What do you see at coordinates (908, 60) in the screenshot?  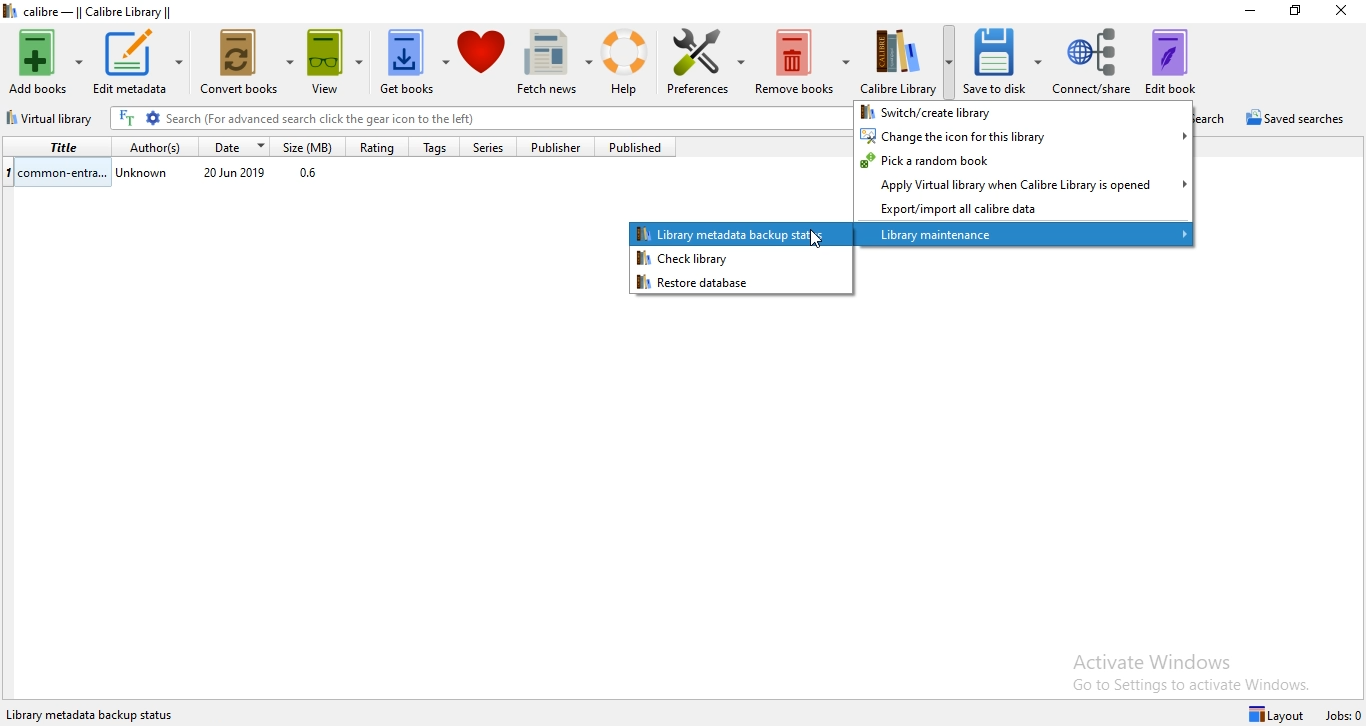 I see `Calibre Library` at bounding box center [908, 60].